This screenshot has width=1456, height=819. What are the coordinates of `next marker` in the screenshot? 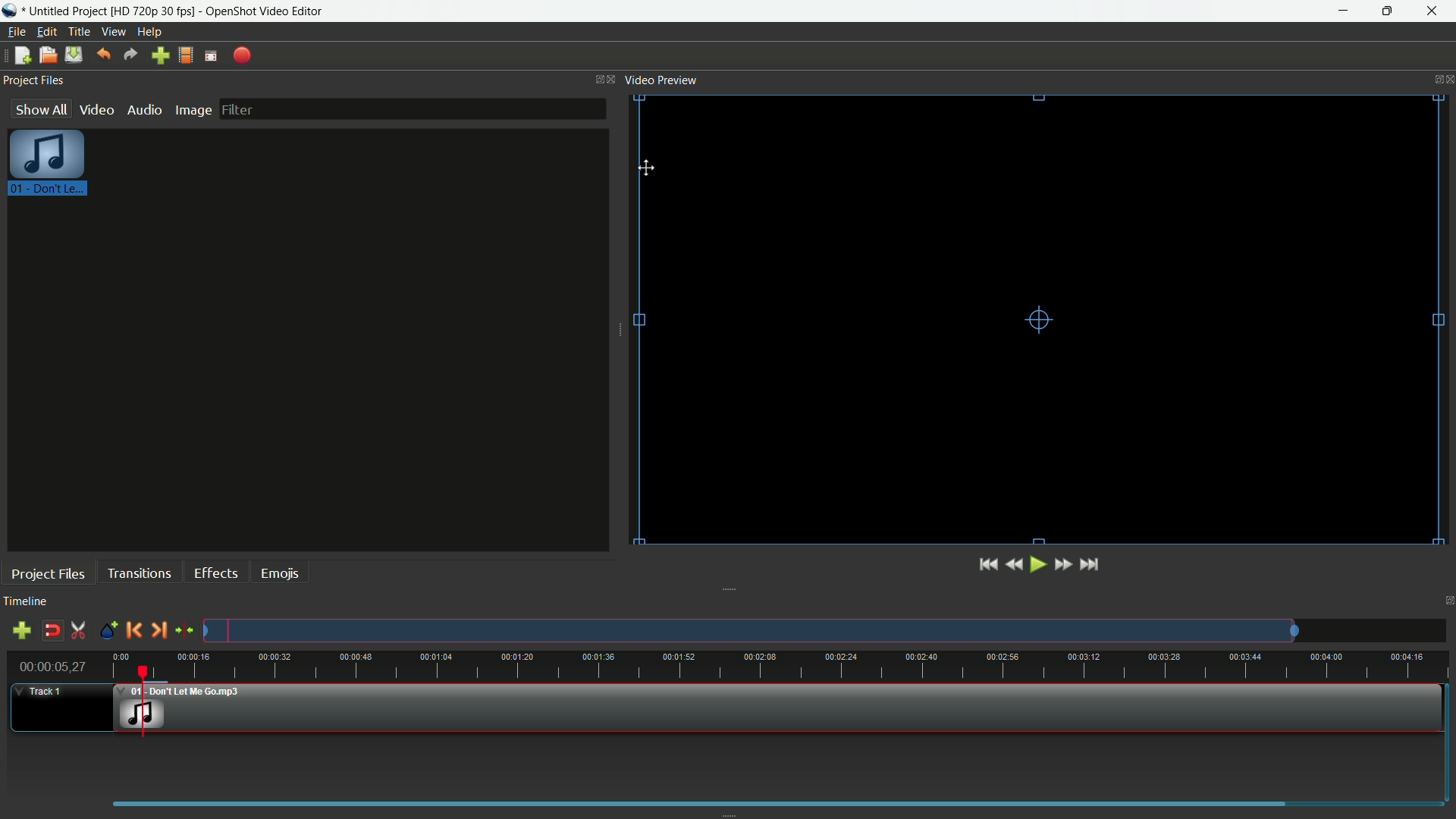 It's located at (158, 630).